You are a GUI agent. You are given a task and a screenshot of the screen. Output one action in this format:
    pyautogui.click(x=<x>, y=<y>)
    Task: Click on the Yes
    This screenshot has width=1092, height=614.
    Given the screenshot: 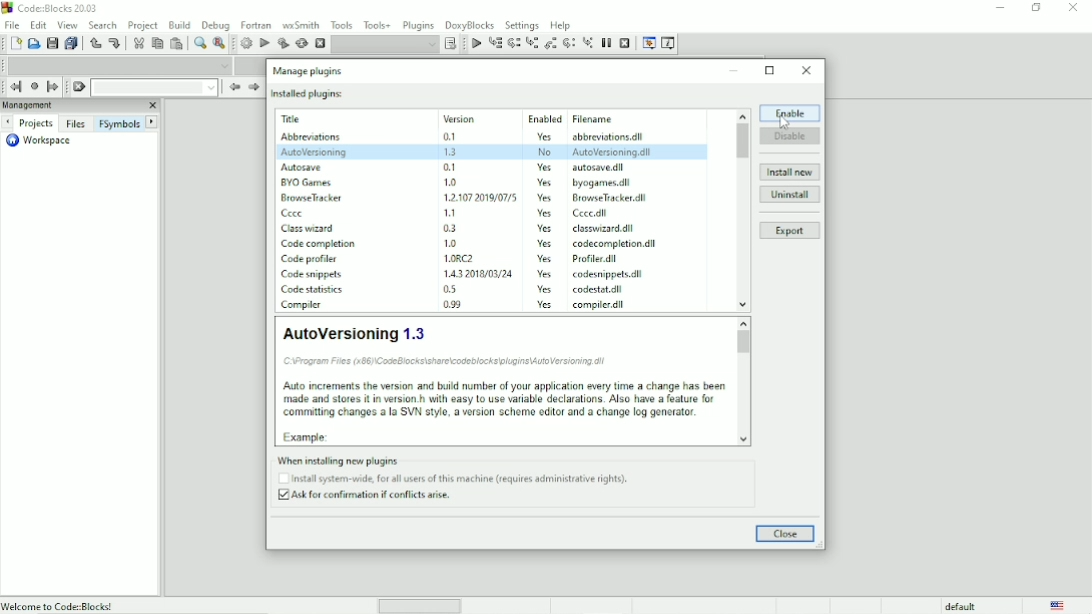 What is the action you would take?
    pyautogui.click(x=545, y=274)
    